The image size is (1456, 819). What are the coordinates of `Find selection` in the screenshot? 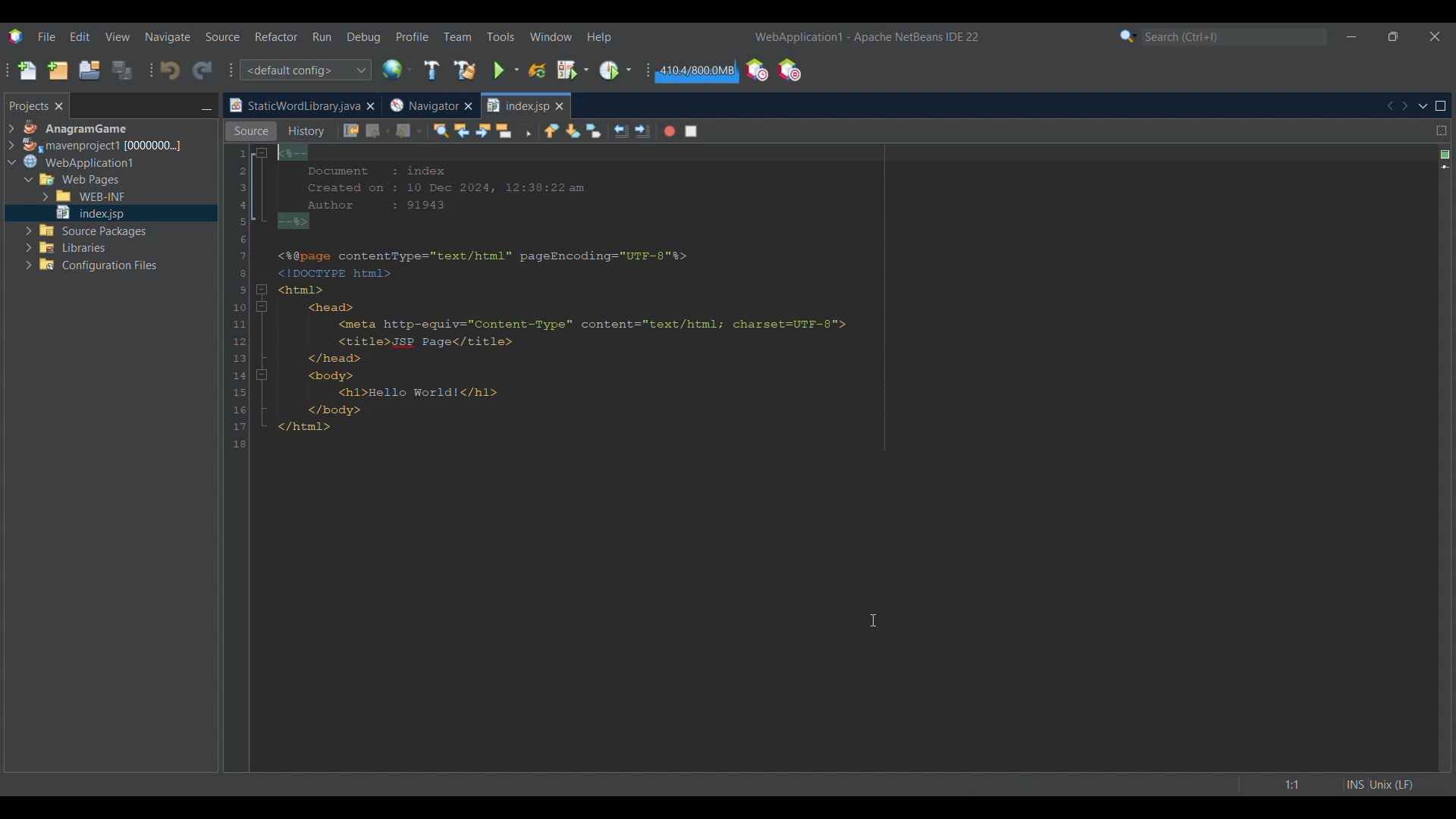 It's located at (441, 130).